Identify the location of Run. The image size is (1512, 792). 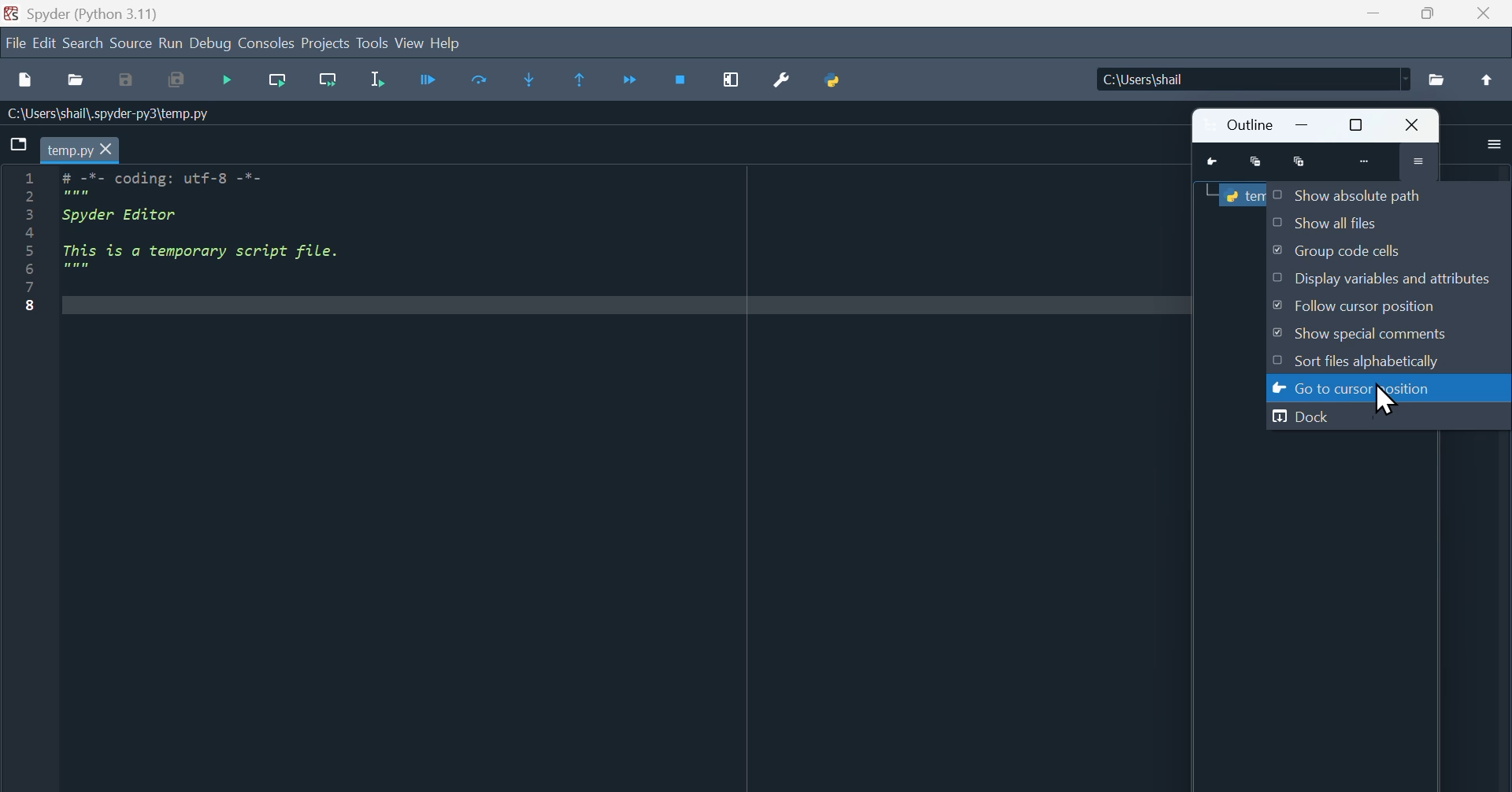
(430, 79).